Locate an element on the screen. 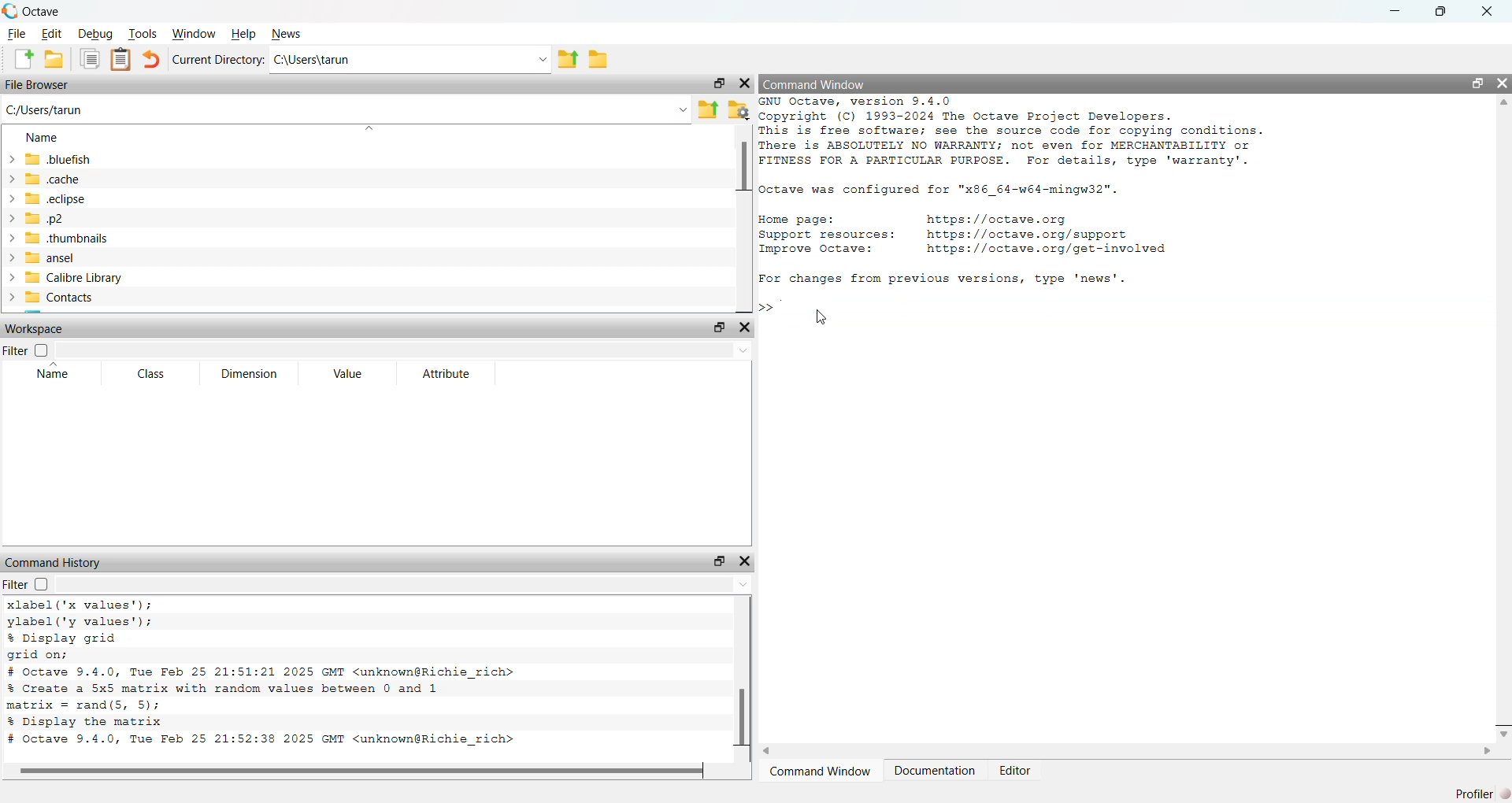 The image size is (1512, 803). export is located at coordinates (569, 59).